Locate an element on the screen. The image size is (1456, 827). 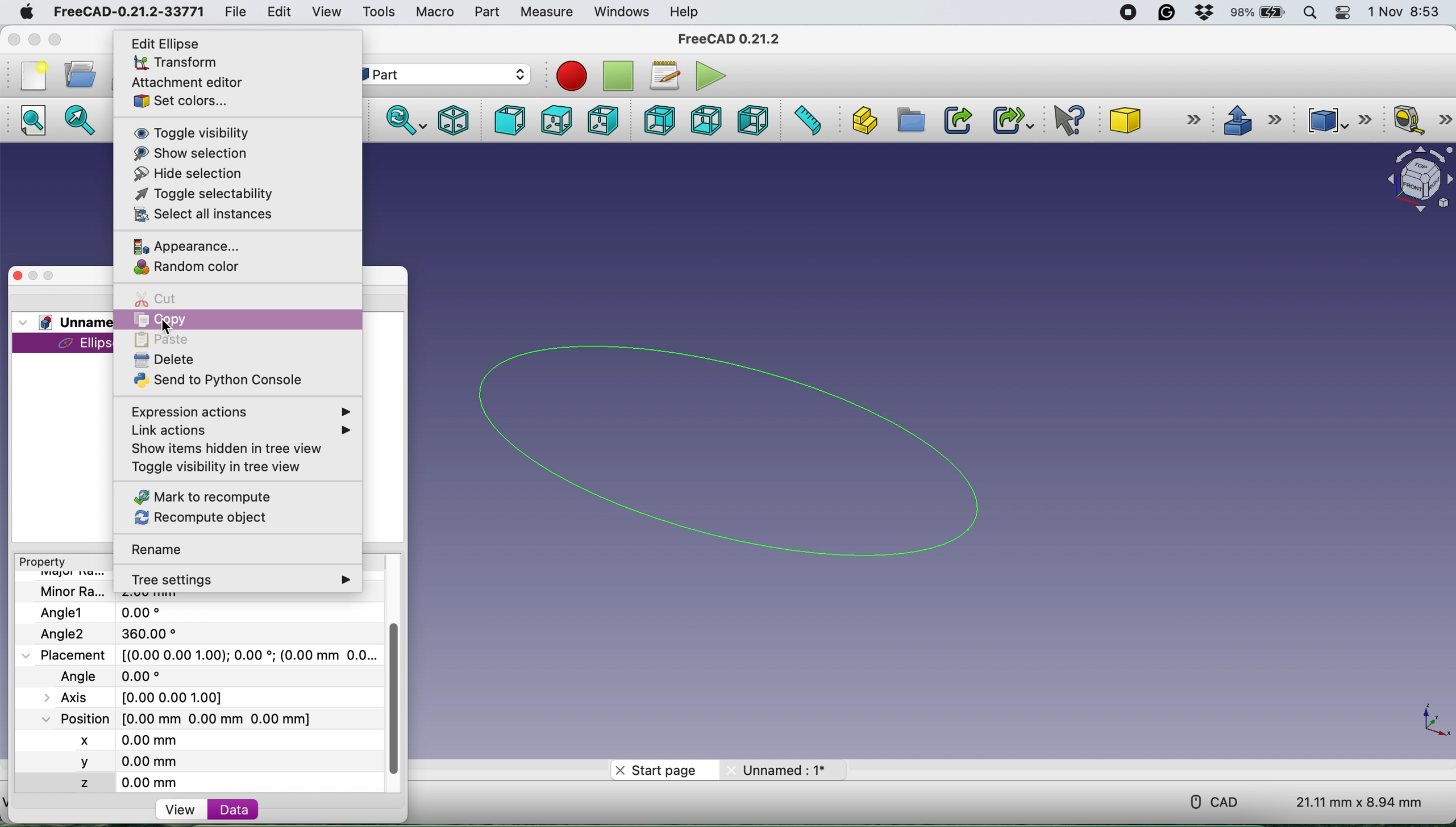
edit is located at coordinates (279, 14).